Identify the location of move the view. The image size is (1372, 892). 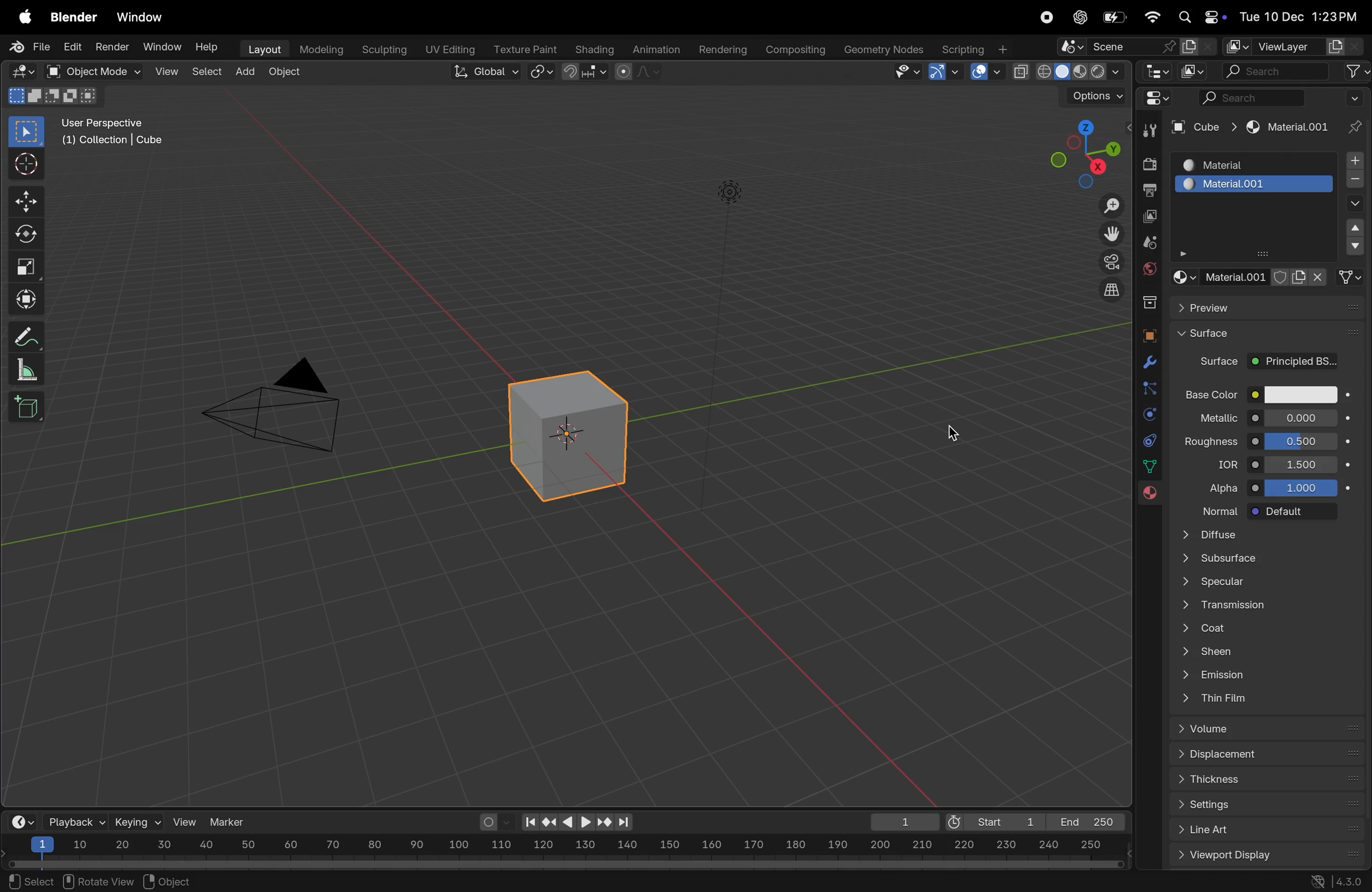
(1111, 232).